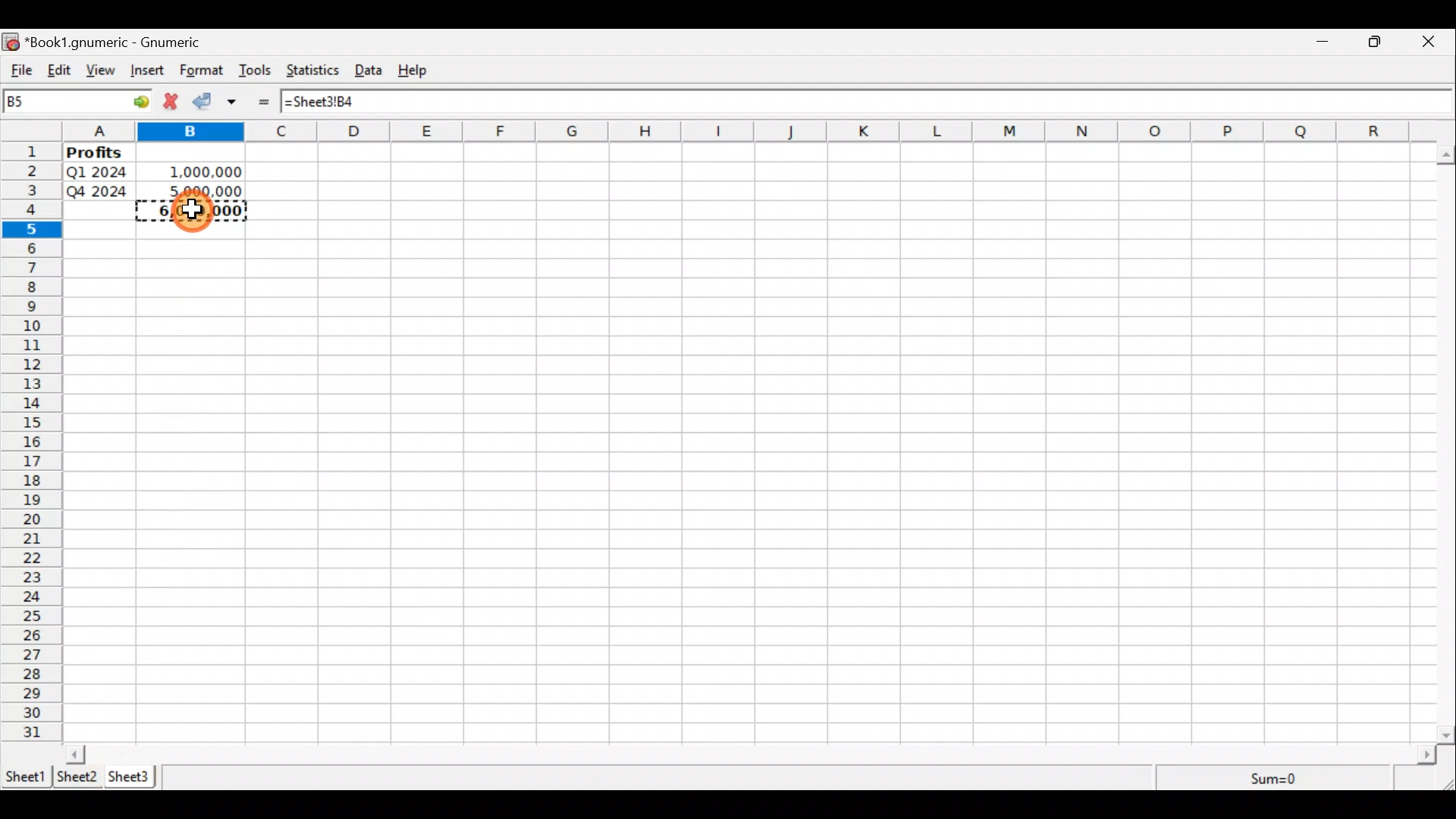  What do you see at coordinates (1447, 441) in the screenshot?
I see `Scroll bar` at bounding box center [1447, 441].